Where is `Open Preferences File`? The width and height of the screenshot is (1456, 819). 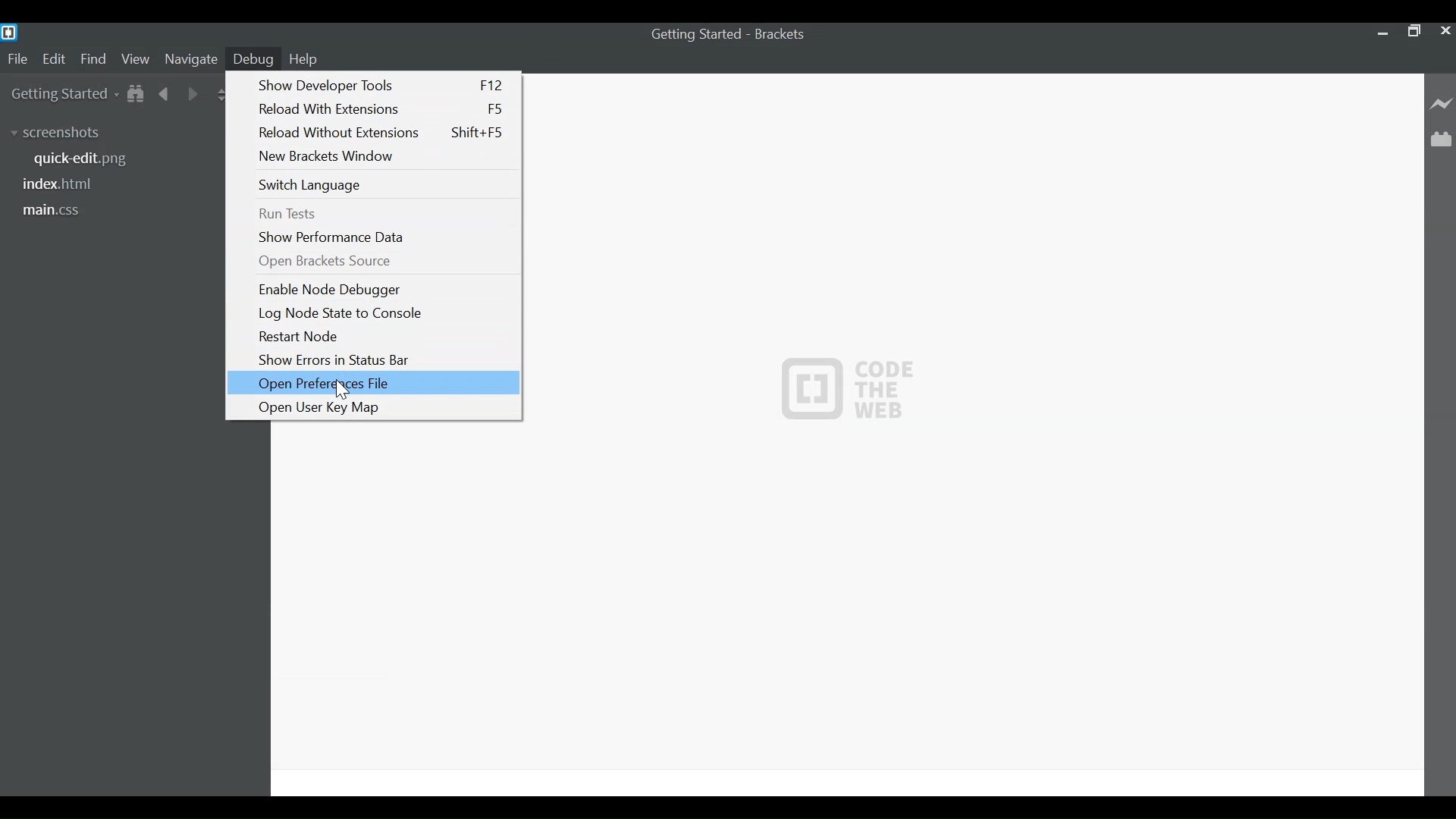 Open Preferences File is located at coordinates (374, 382).